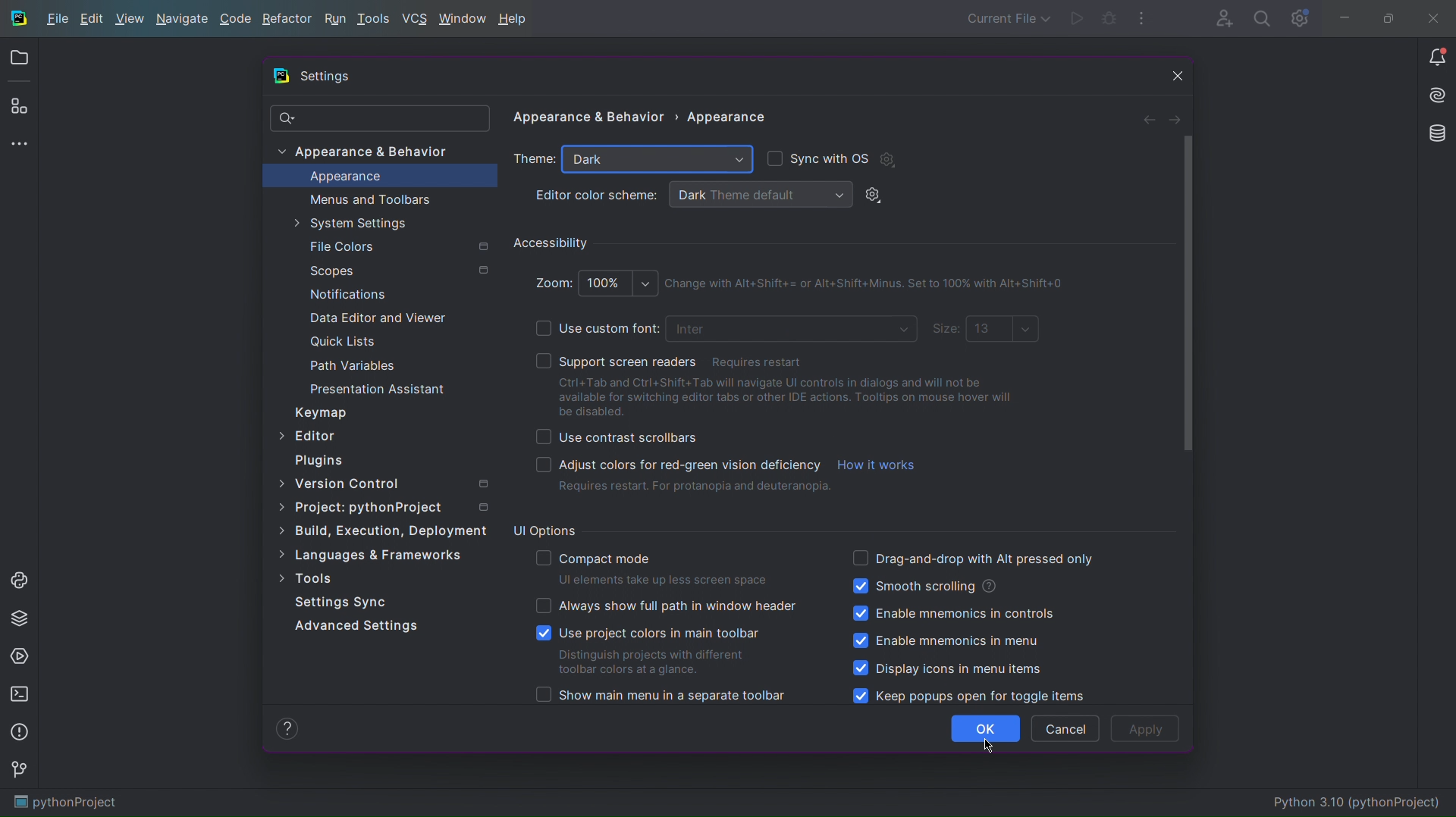  What do you see at coordinates (584, 327) in the screenshot?
I see `Use Custom font` at bounding box center [584, 327].